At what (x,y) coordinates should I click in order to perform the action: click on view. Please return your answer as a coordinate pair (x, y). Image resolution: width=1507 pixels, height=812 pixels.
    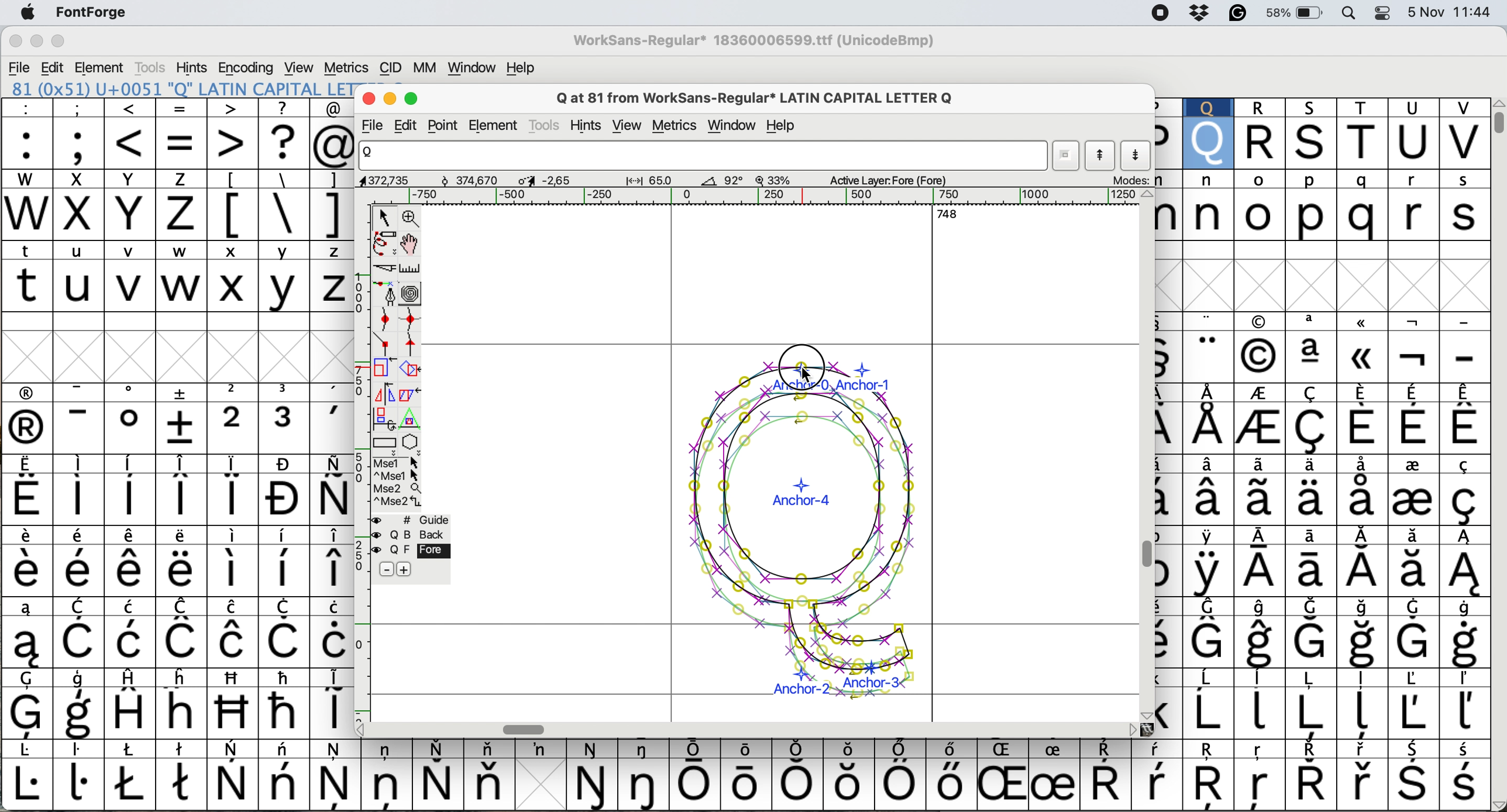
    Looking at the image, I should click on (302, 67).